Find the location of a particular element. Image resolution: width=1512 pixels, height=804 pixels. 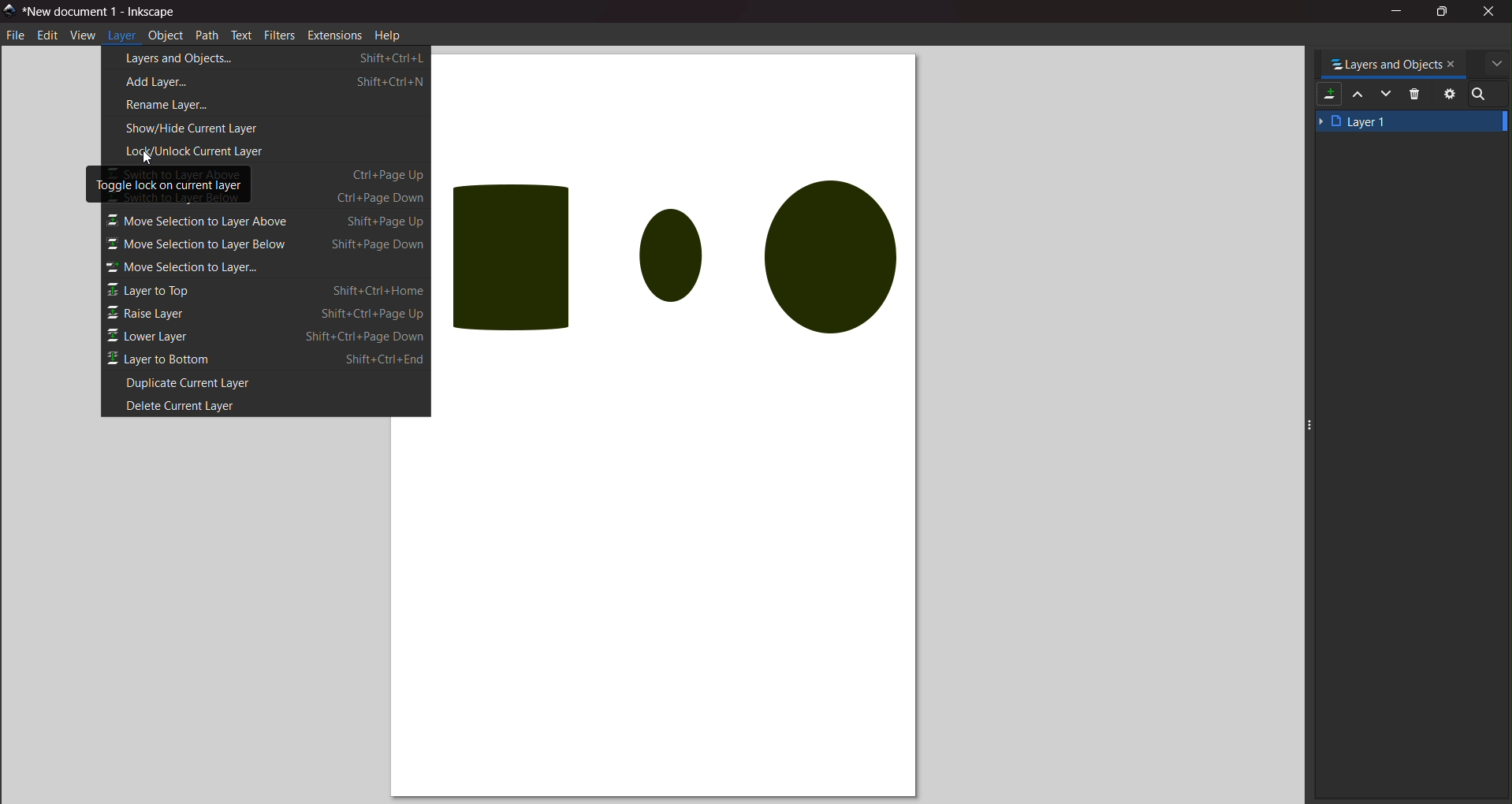

layers and object is located at coordinates (274, 58).